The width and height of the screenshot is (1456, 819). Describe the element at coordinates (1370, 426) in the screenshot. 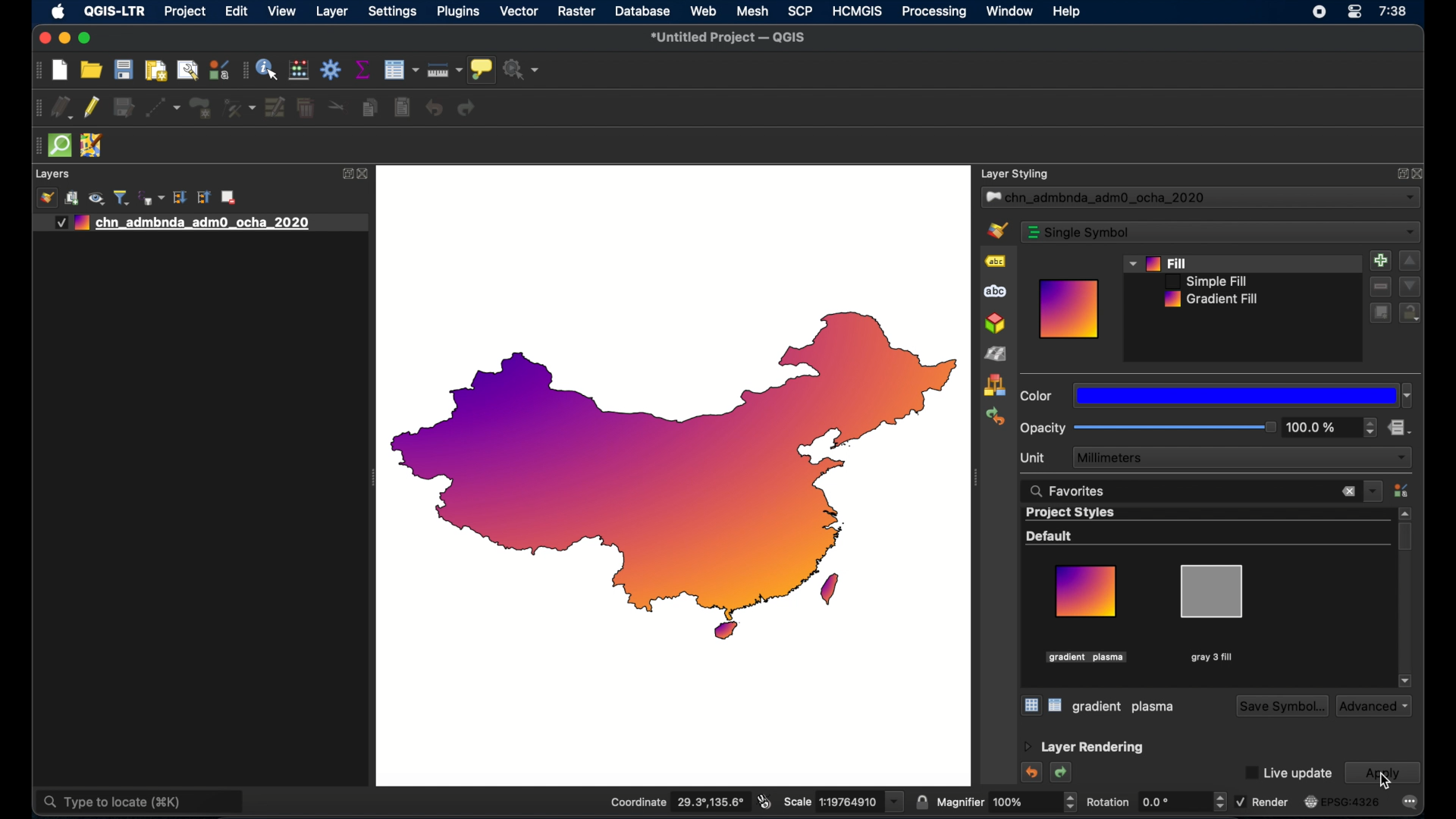

I see `stepper buttons` at that location.